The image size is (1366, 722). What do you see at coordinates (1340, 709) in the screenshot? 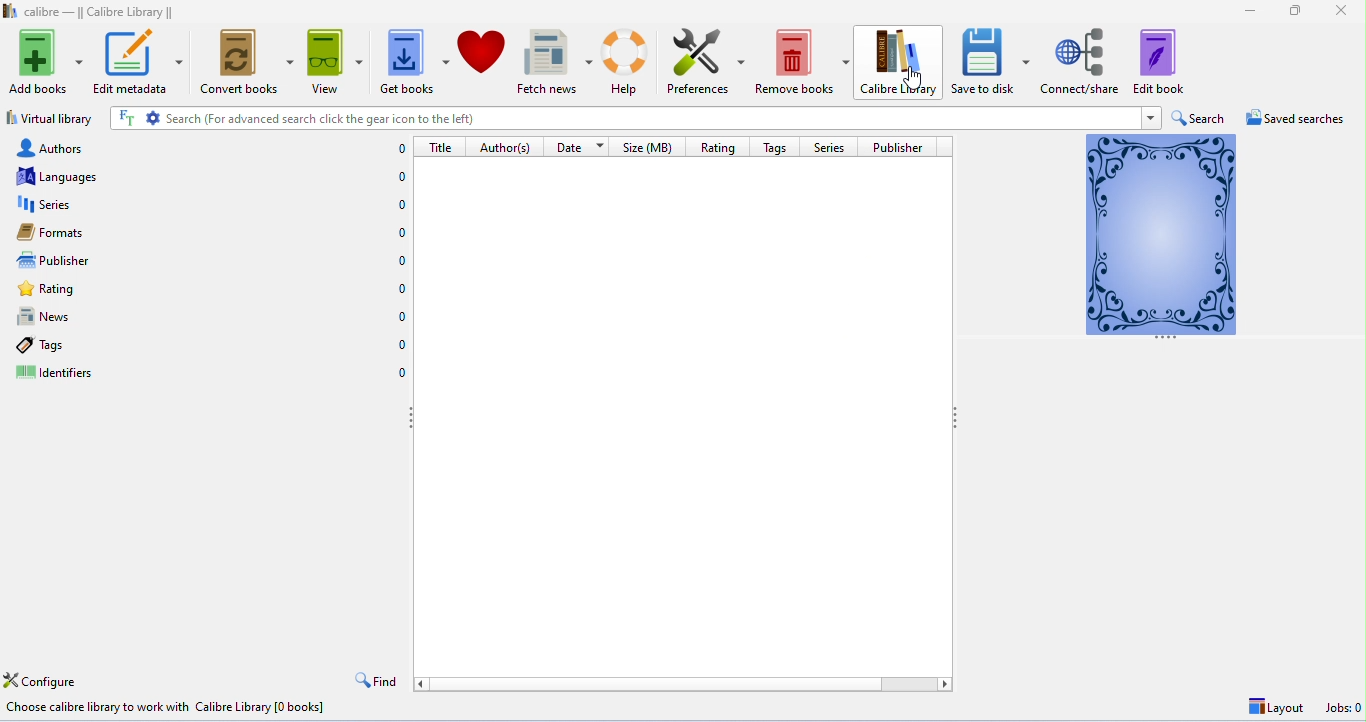
I see `jobs 0` at bounding box center [1340, 709].